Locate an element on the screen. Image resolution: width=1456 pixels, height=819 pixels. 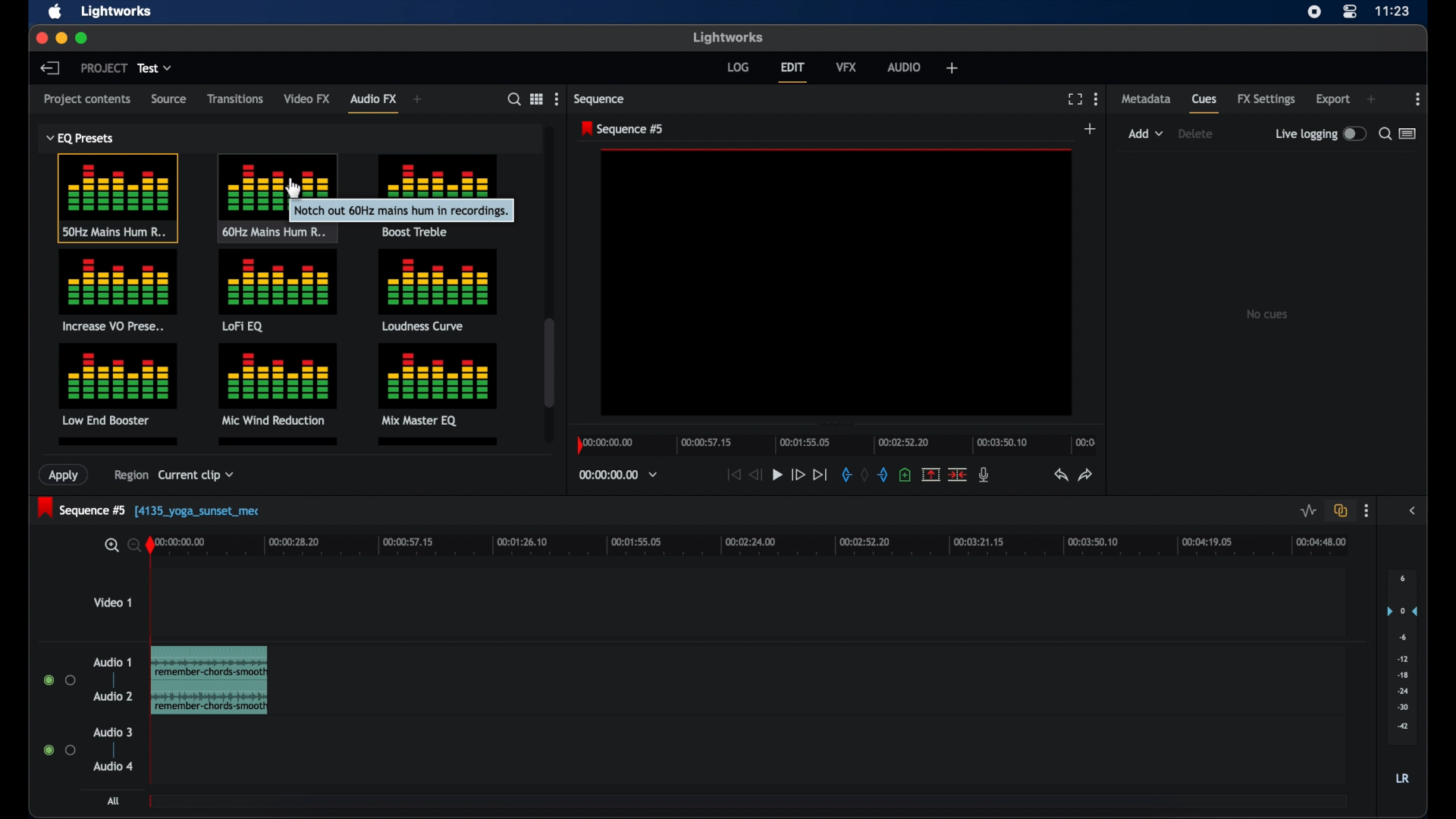
export is located at coordinates (1332, 99).